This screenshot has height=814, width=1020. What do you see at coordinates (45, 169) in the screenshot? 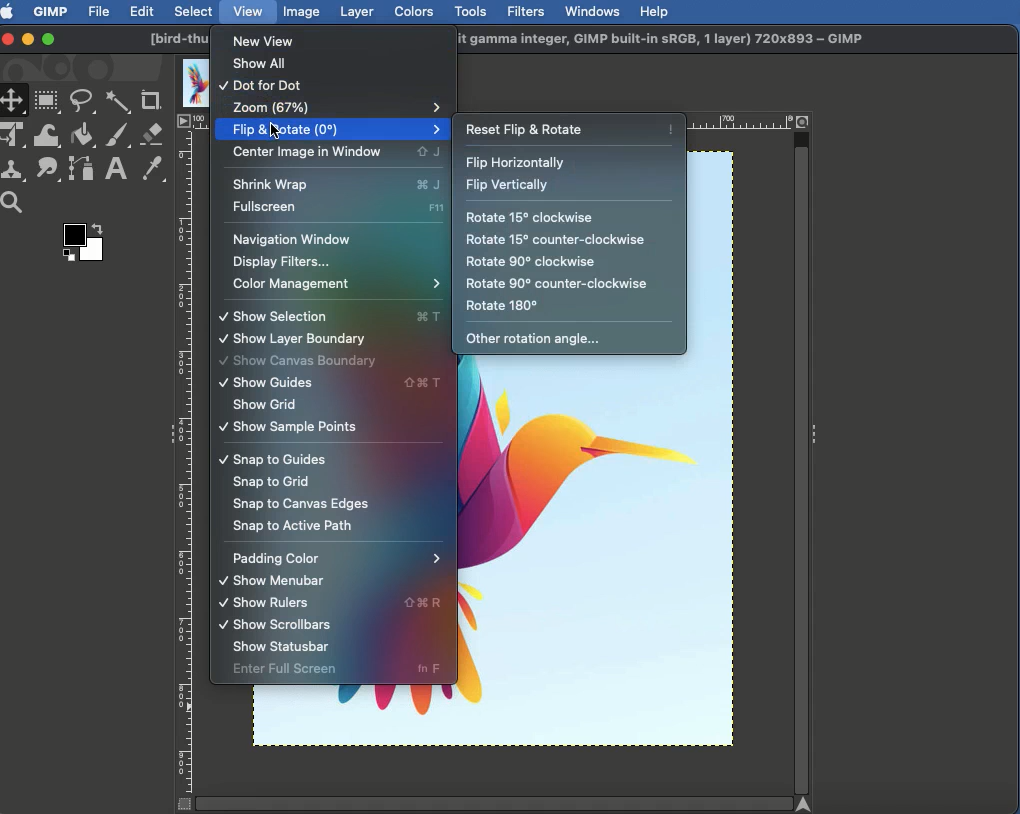
I see `Smudge tool` at bounding box center [45, 169].